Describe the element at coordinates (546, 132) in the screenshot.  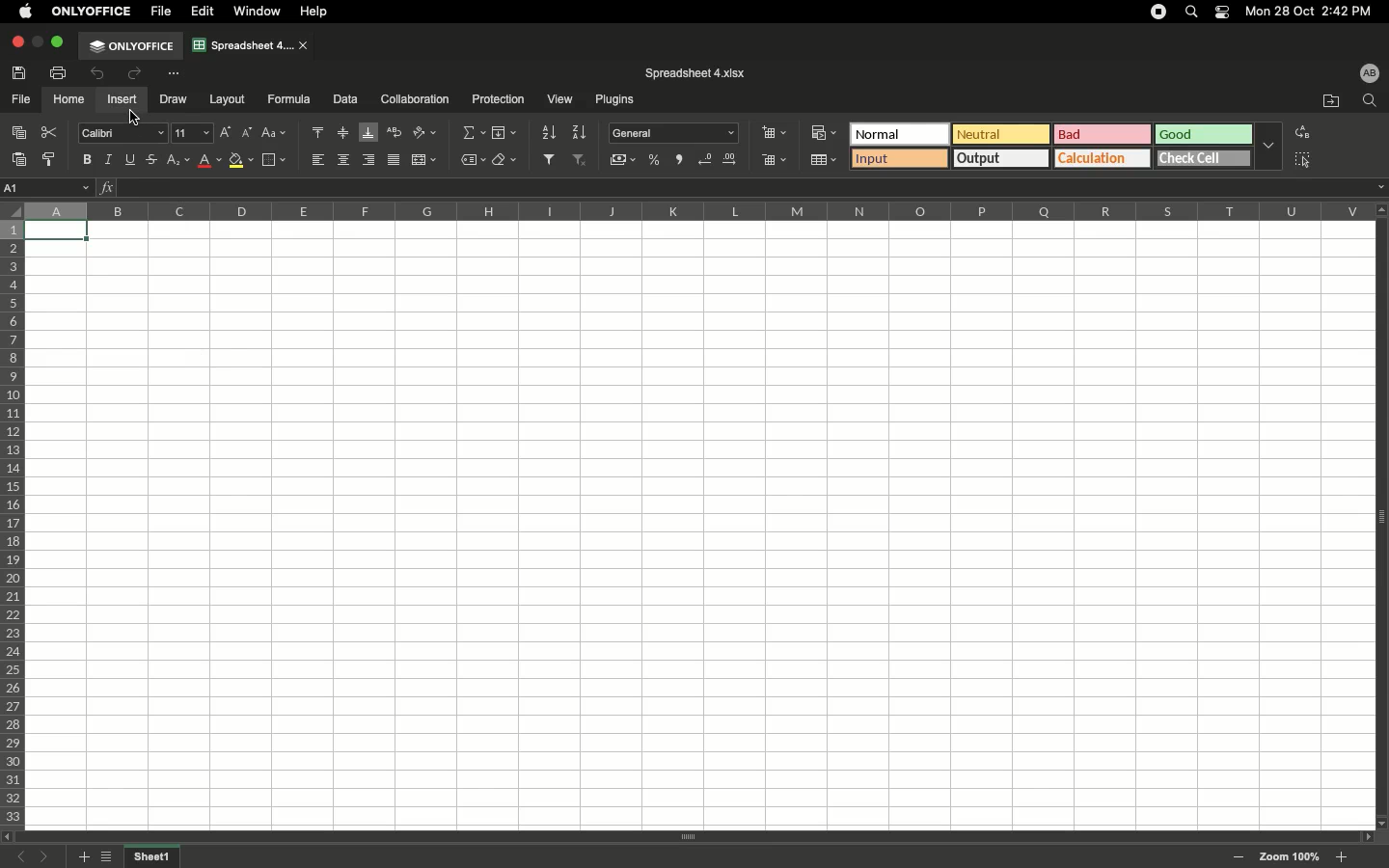
I see `Sort ascending` at that location.